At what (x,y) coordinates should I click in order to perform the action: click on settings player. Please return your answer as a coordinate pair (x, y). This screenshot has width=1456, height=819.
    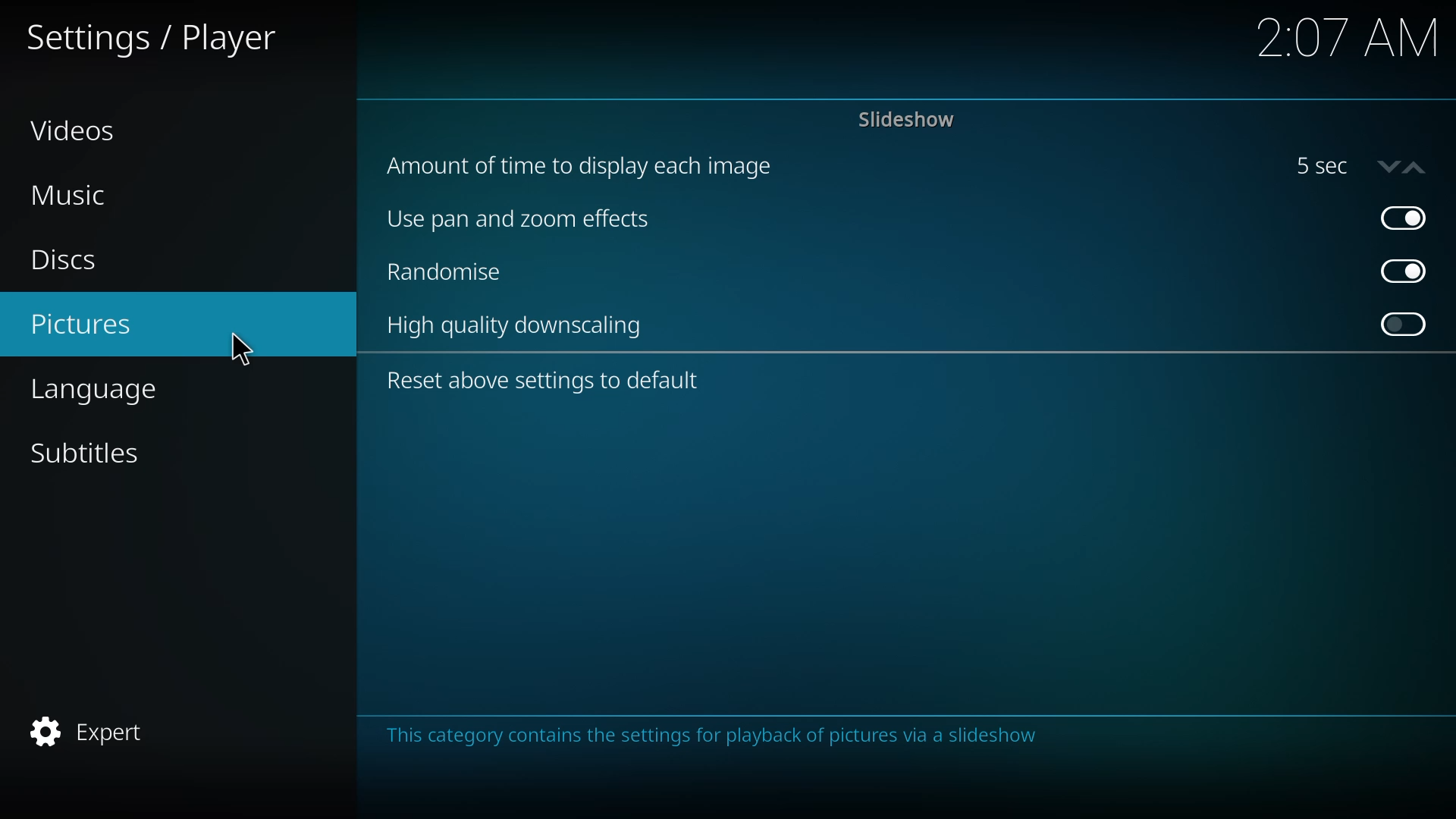
    Looking at the image, I should click on (155, 37).